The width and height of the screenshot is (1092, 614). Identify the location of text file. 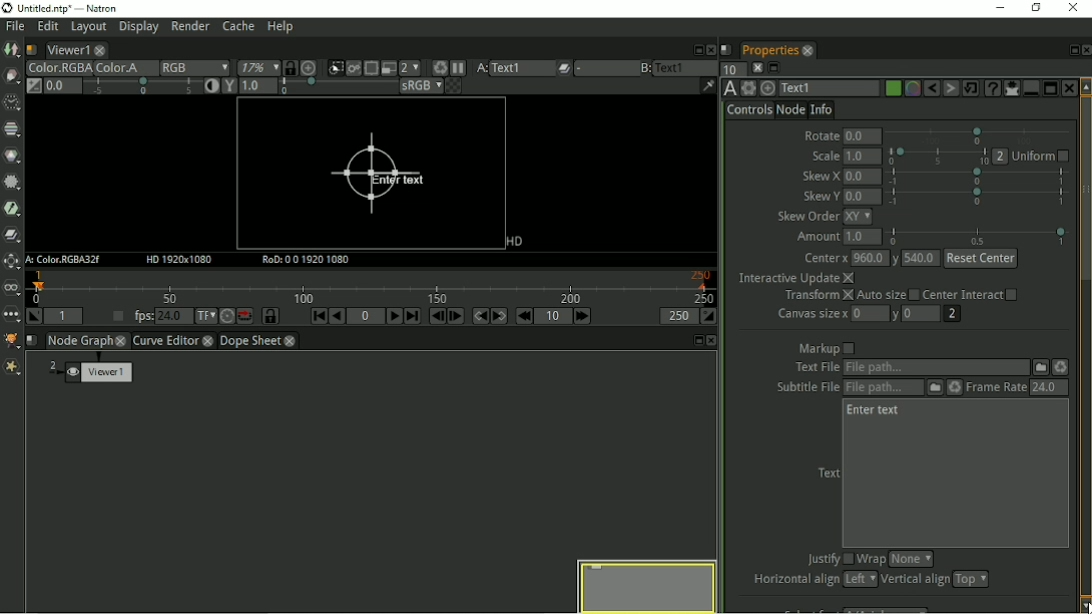
(814, 366).